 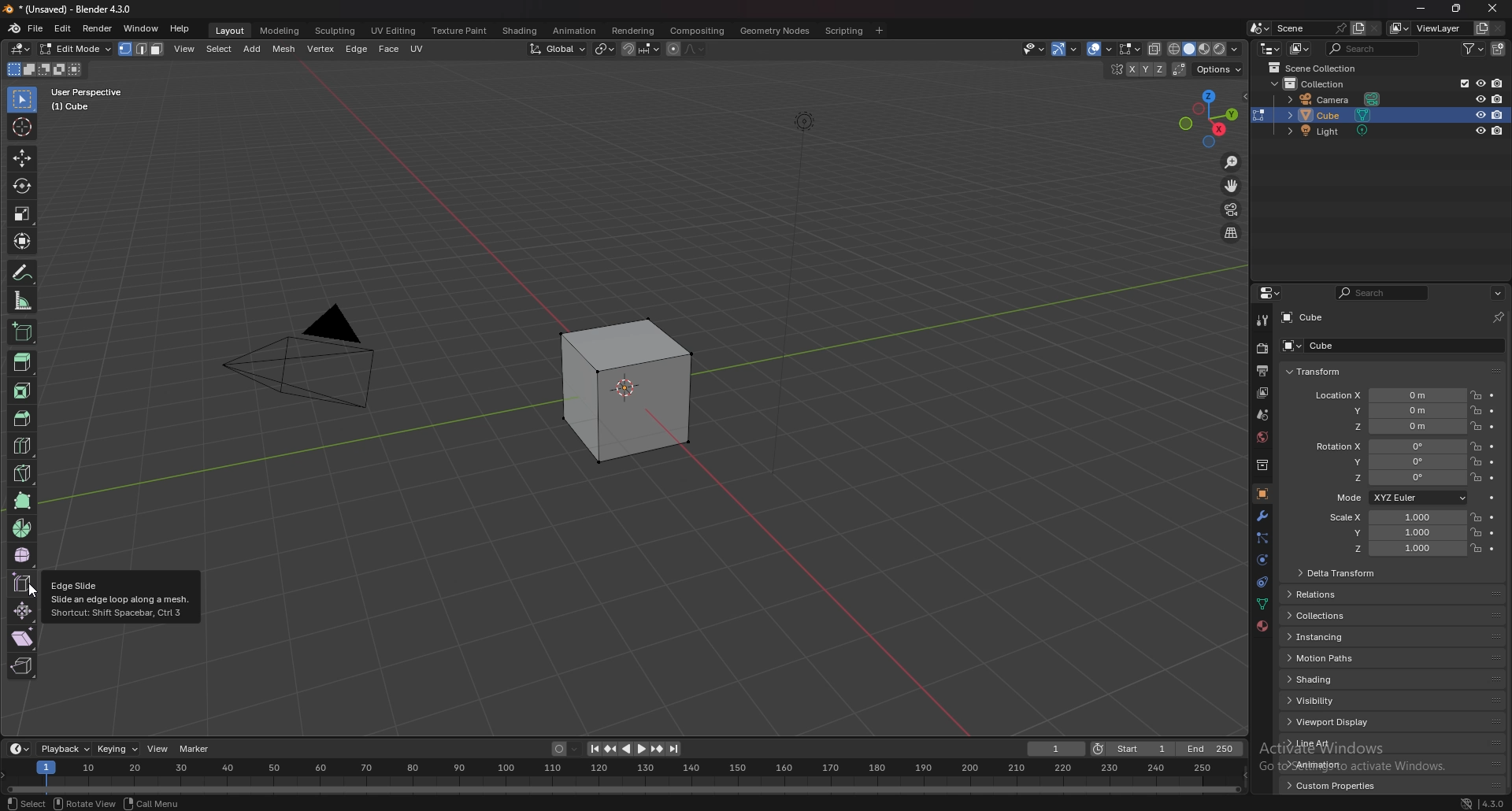 What do you see at coordinates (1317, 67) in the screenshot?
I see `scene collection` at bounding box center [1317, 67].